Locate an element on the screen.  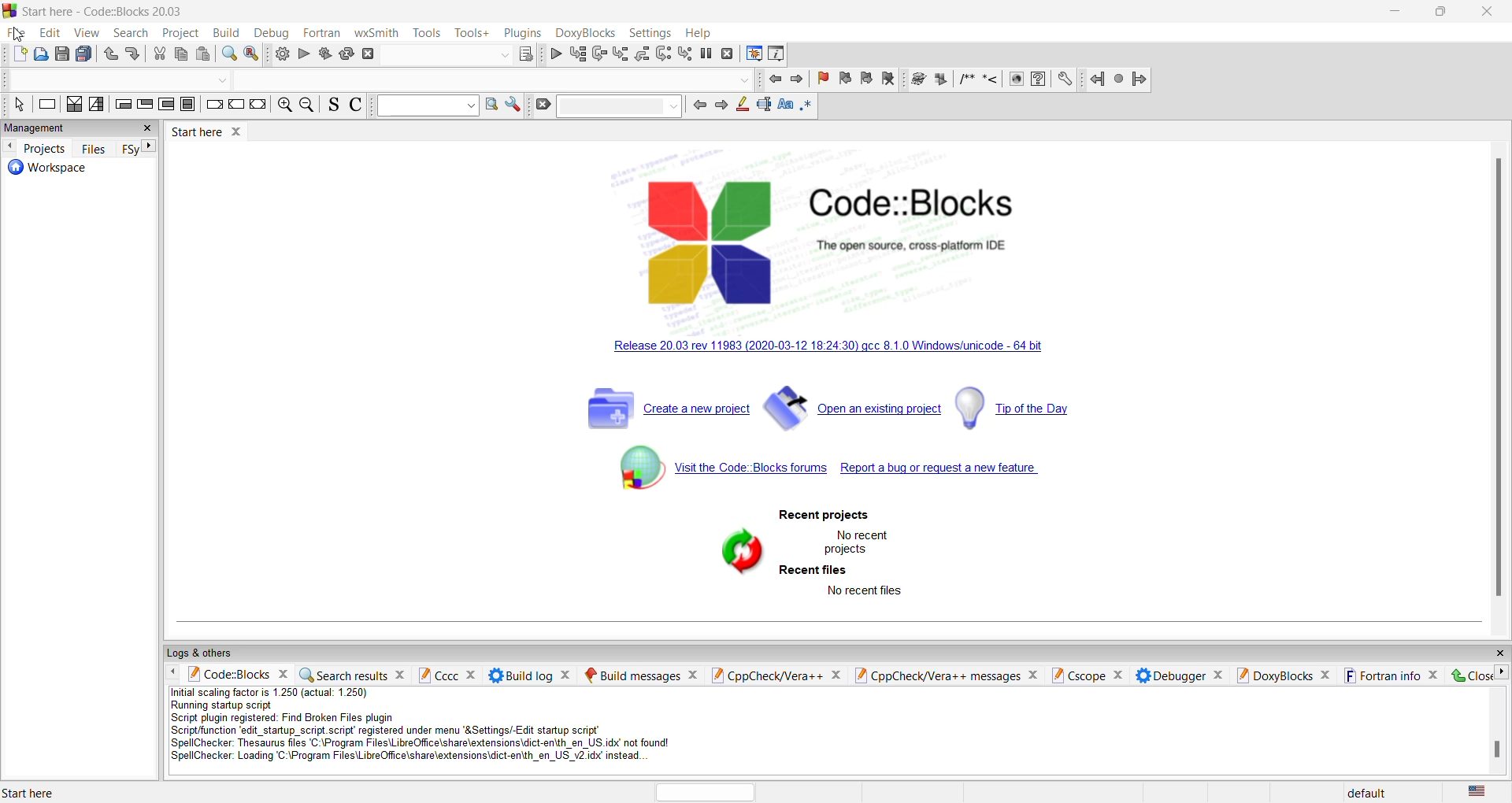
close is located at coordinates (1220, 675).